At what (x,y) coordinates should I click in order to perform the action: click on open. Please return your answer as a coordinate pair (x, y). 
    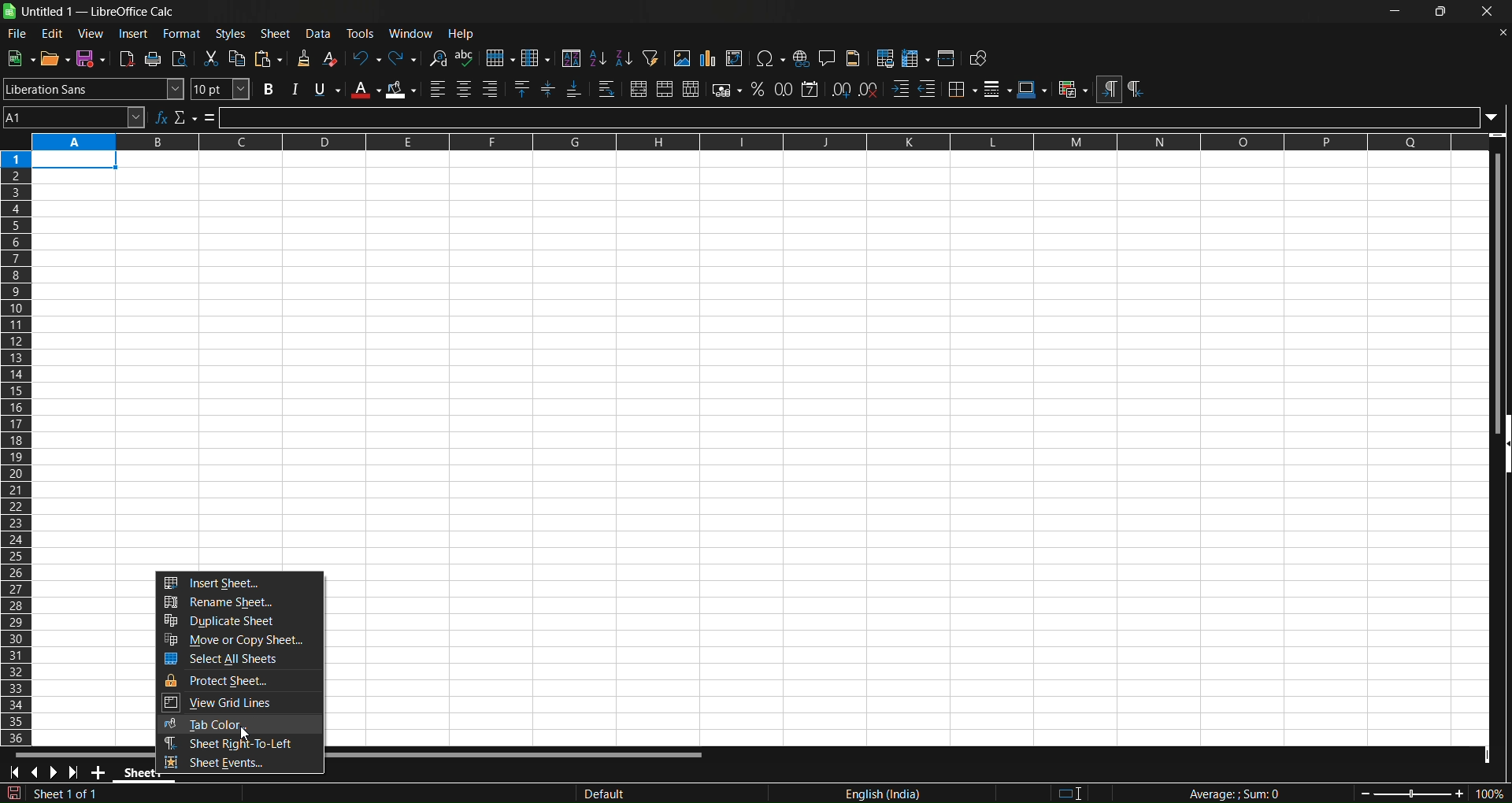
    Looking at the image, I should click on (54, 57).